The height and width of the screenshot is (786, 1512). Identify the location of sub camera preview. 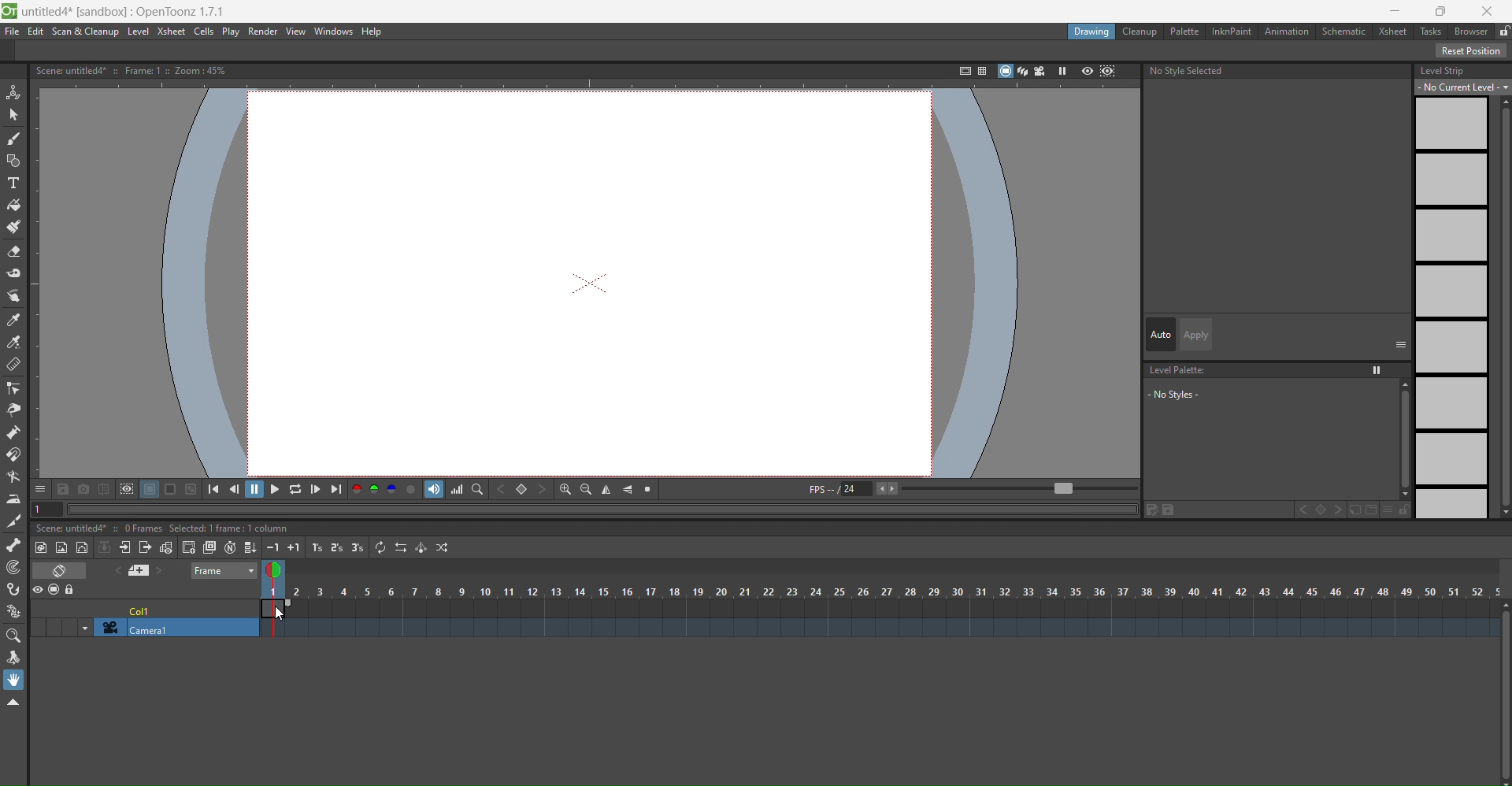
(1109, 72).